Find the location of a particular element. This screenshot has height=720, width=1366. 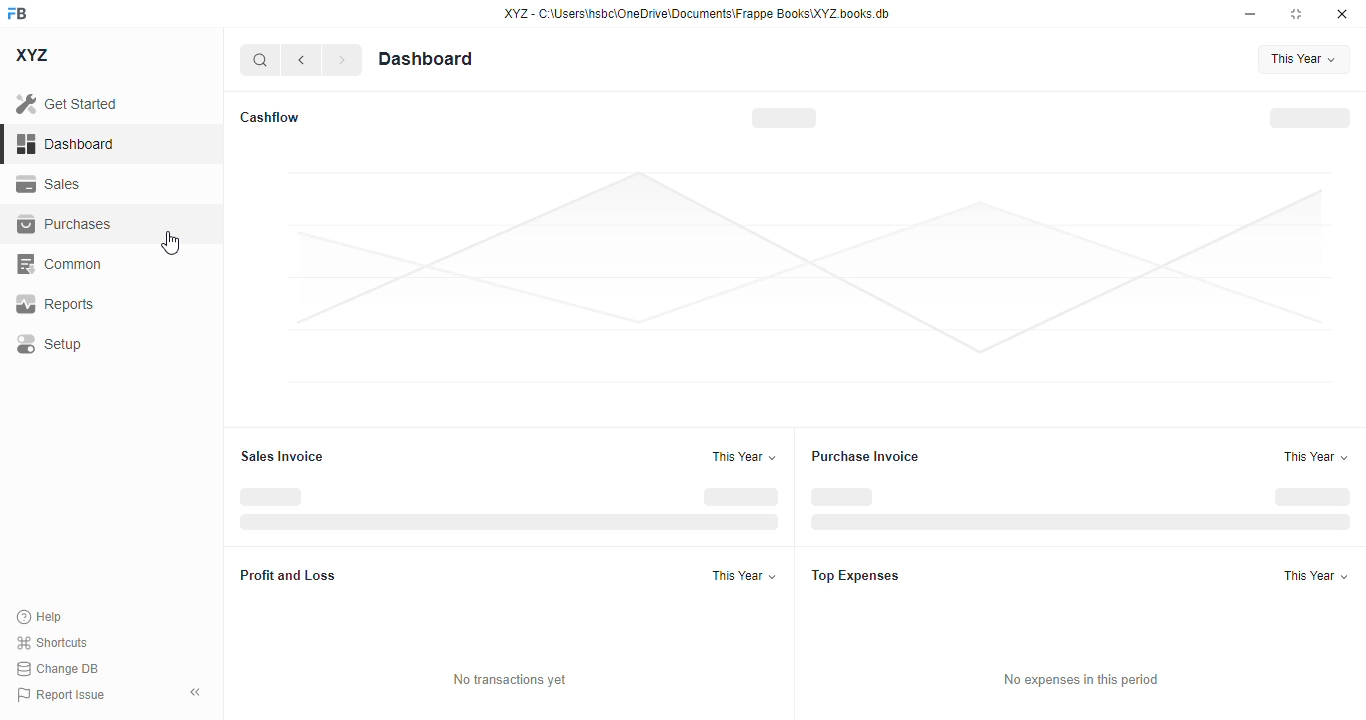

change DB is located at coordinates (57, 669).